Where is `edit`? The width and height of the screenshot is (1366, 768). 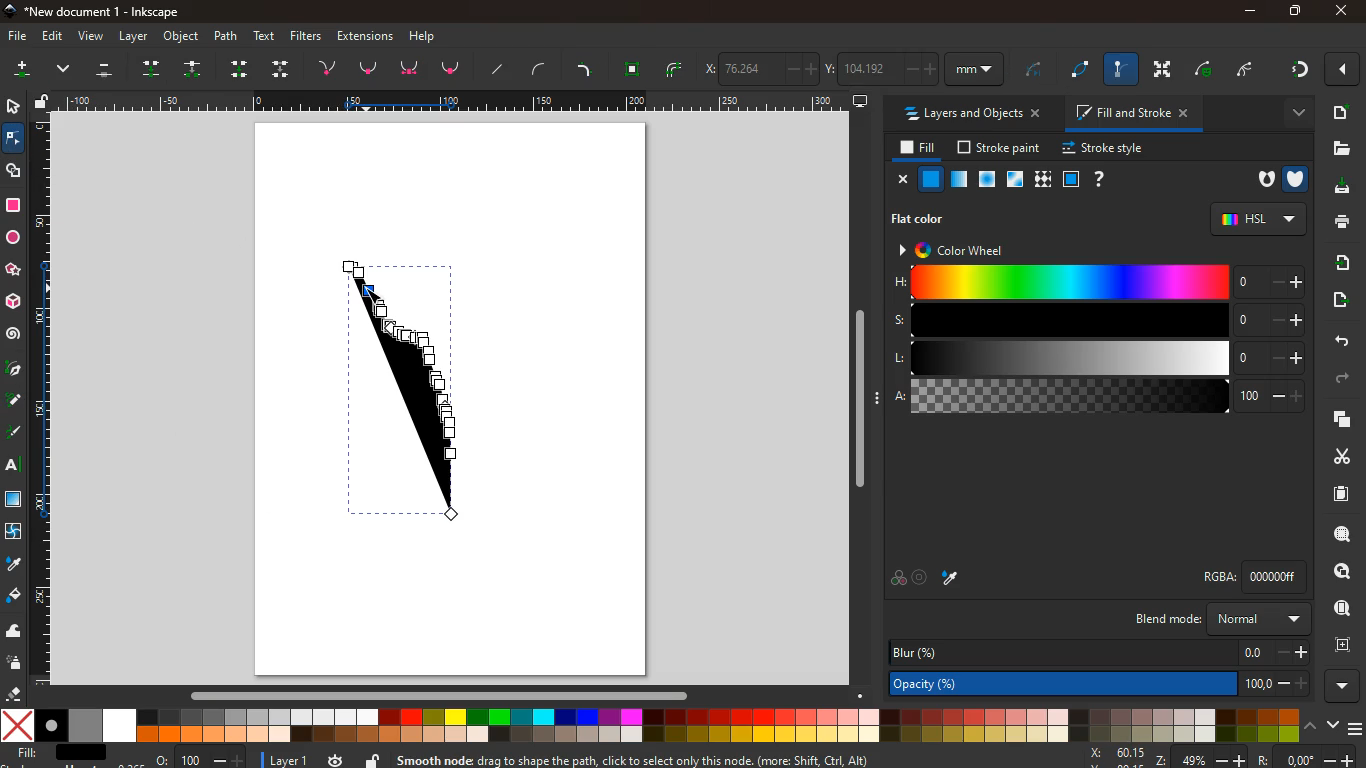
edit is located at coordinates (51, 37).